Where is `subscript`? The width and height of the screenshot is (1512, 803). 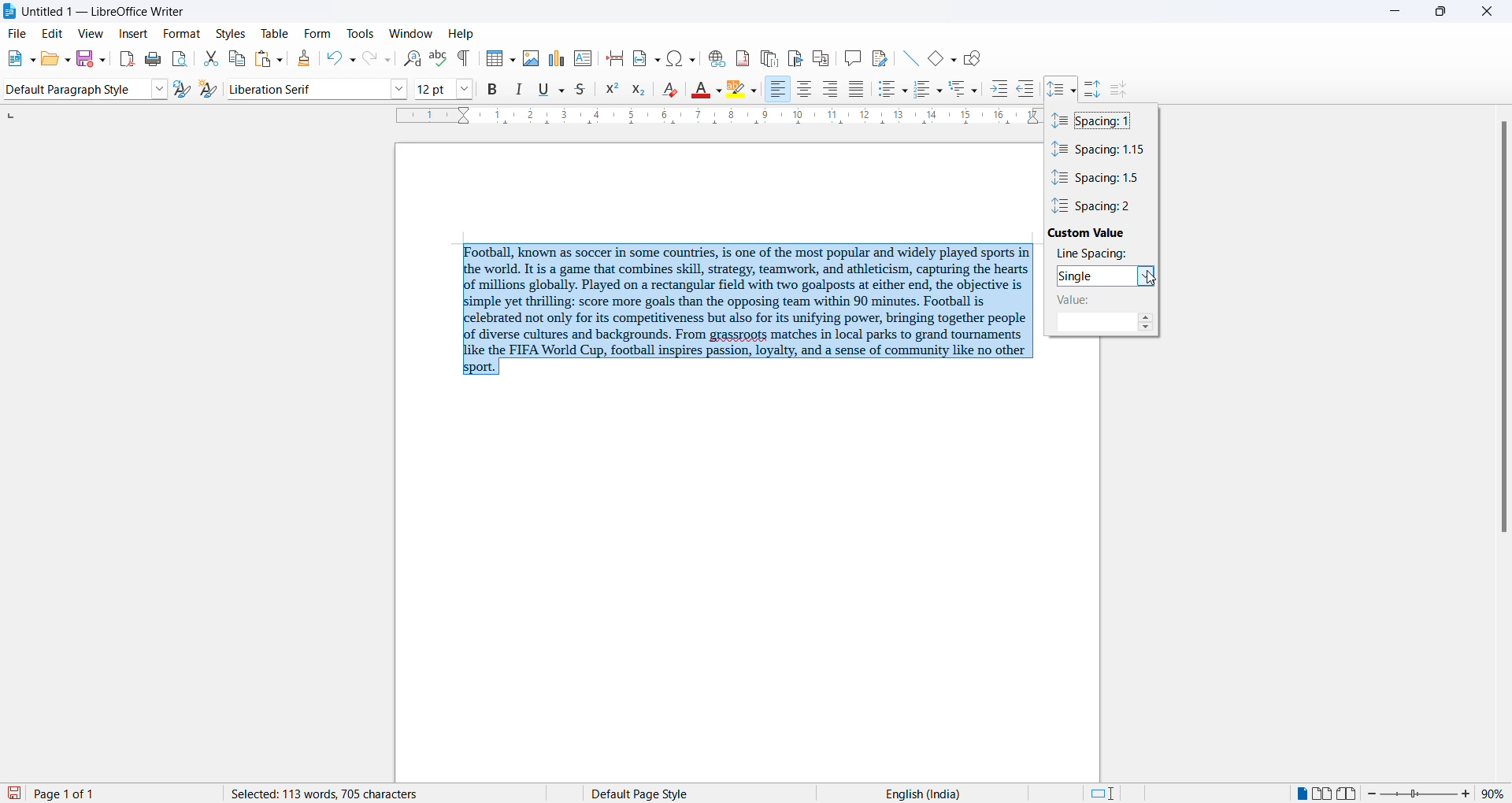 subscript is located at coordinates (637, 90).